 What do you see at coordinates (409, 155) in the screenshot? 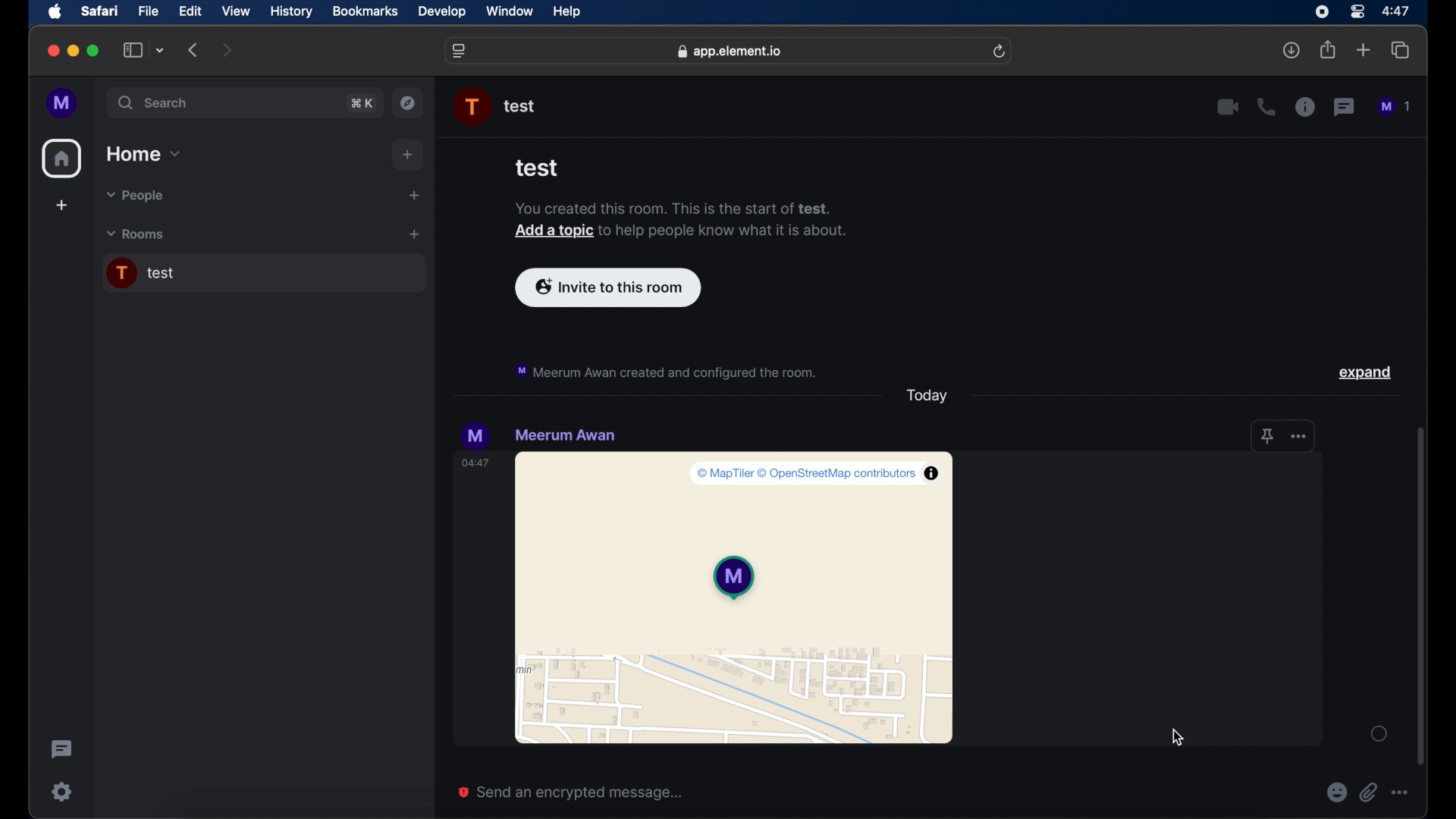
I see `add` at bounding box center [409, 155].